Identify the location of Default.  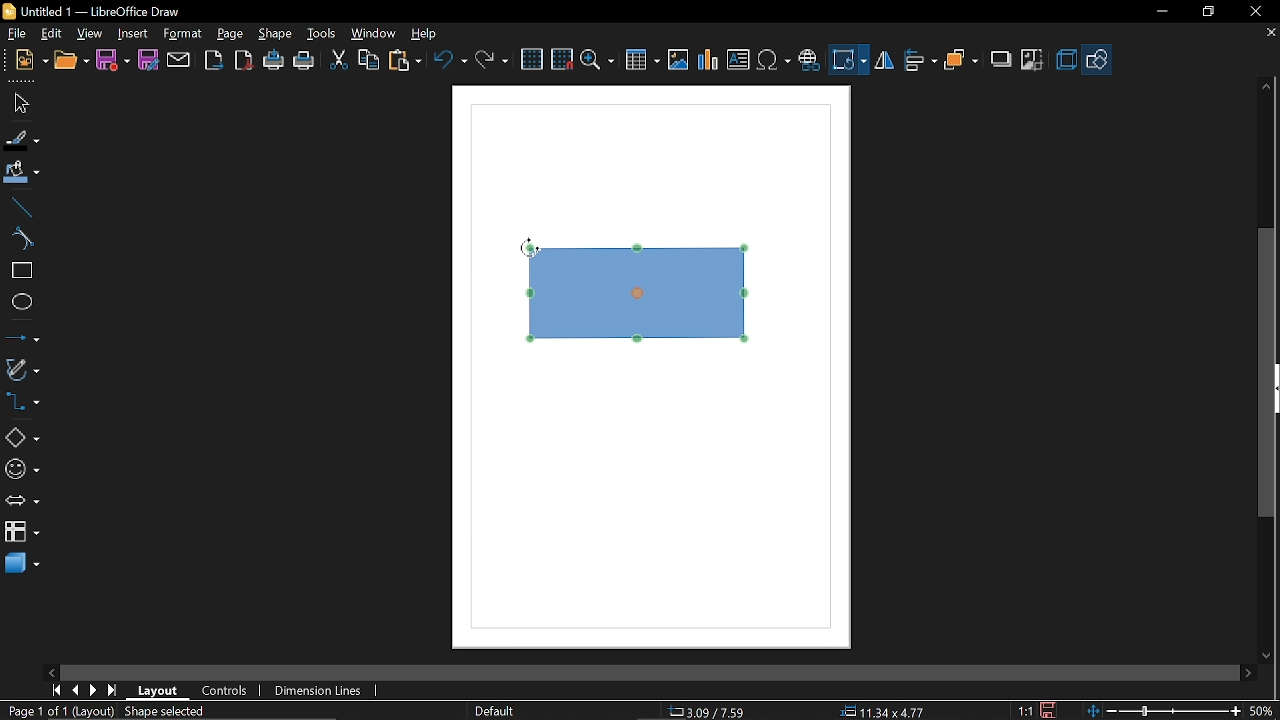
(492, 710).